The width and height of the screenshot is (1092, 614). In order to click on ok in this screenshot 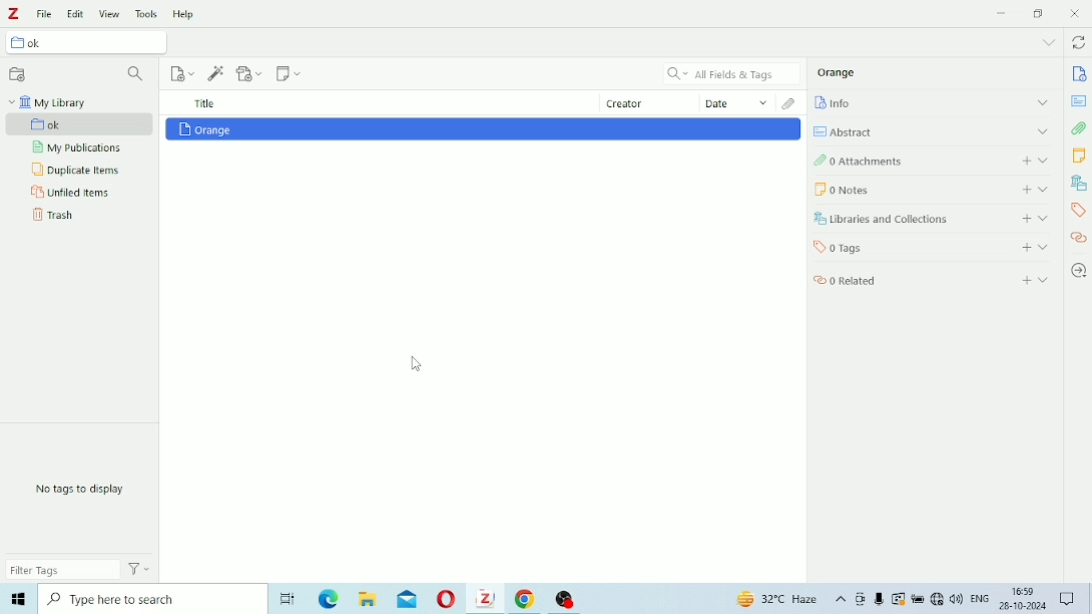, I will do `click(81, 125)`.